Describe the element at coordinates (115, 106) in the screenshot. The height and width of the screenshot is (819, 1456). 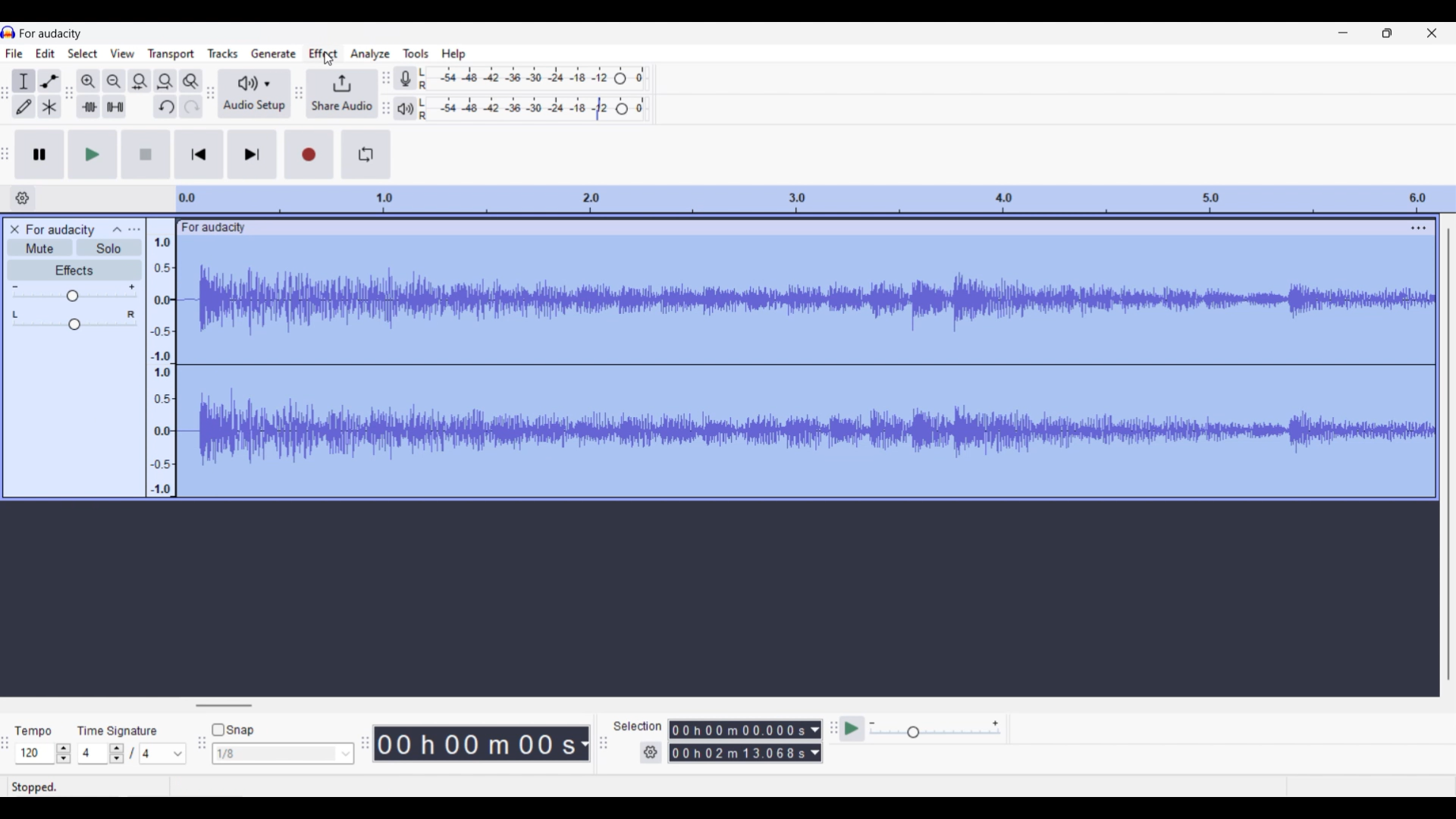
I see `Silence audio selection` at that location.